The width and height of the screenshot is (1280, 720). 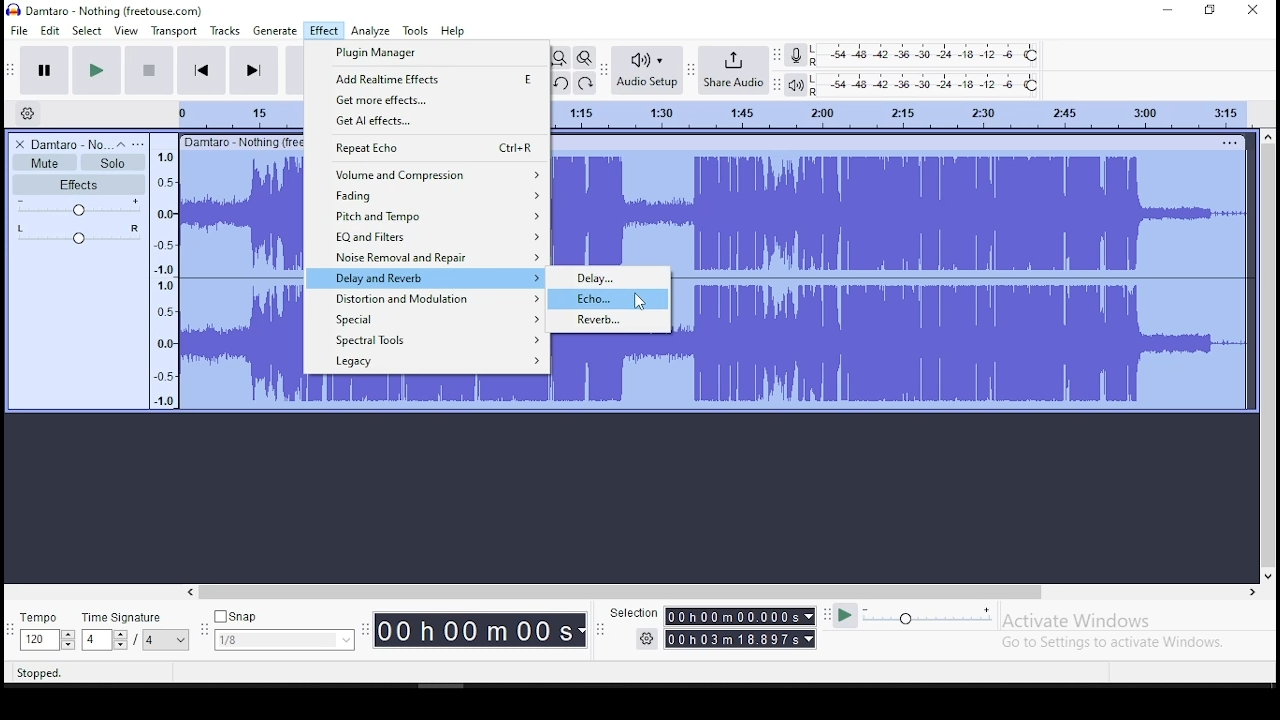 I want to click on 00h01m00.000, so click(x=732, y=616).